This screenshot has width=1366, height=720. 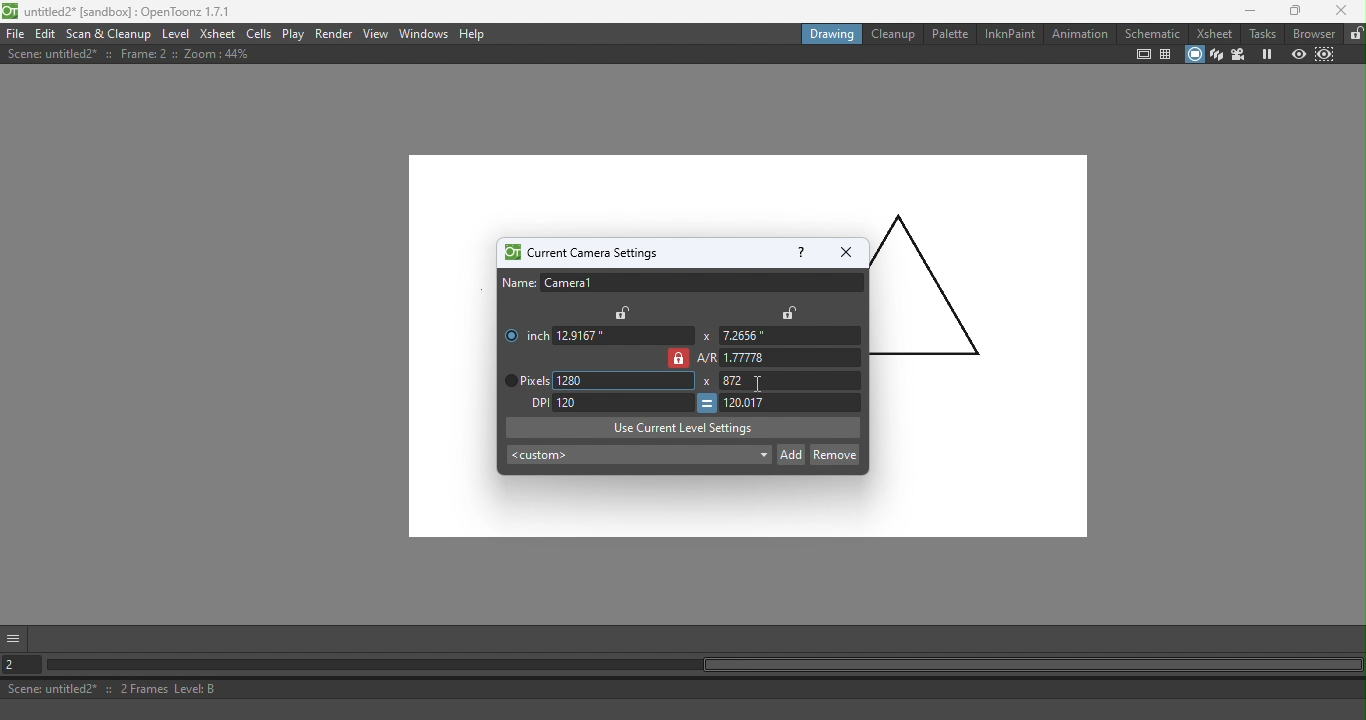 I want to click on Scan & Cleanup, so click(x=109, y=33).